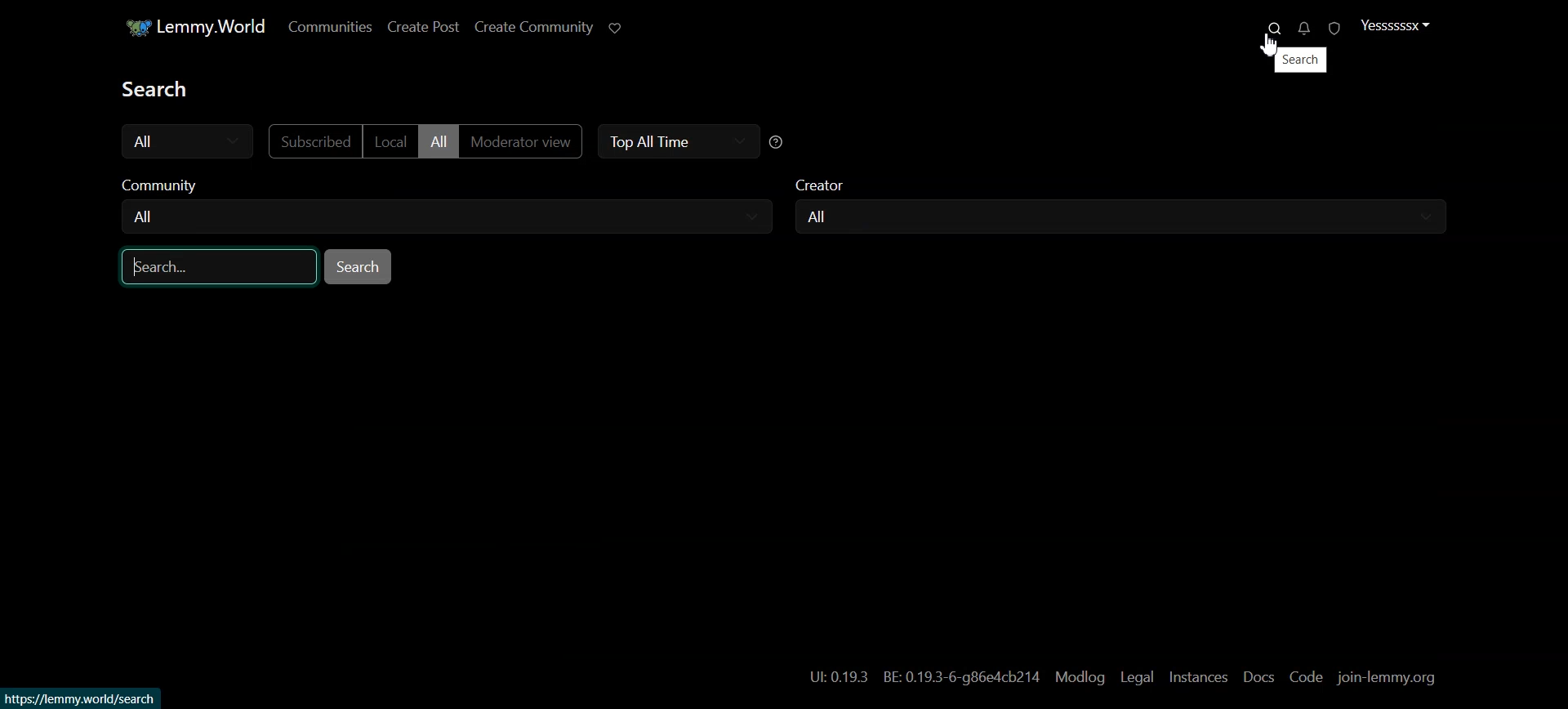 This screenshot has width=1568, height=709. What do you see at coordinates (360, 267) in the screenshot?
I see `Search` at bounding box center [360, 267].